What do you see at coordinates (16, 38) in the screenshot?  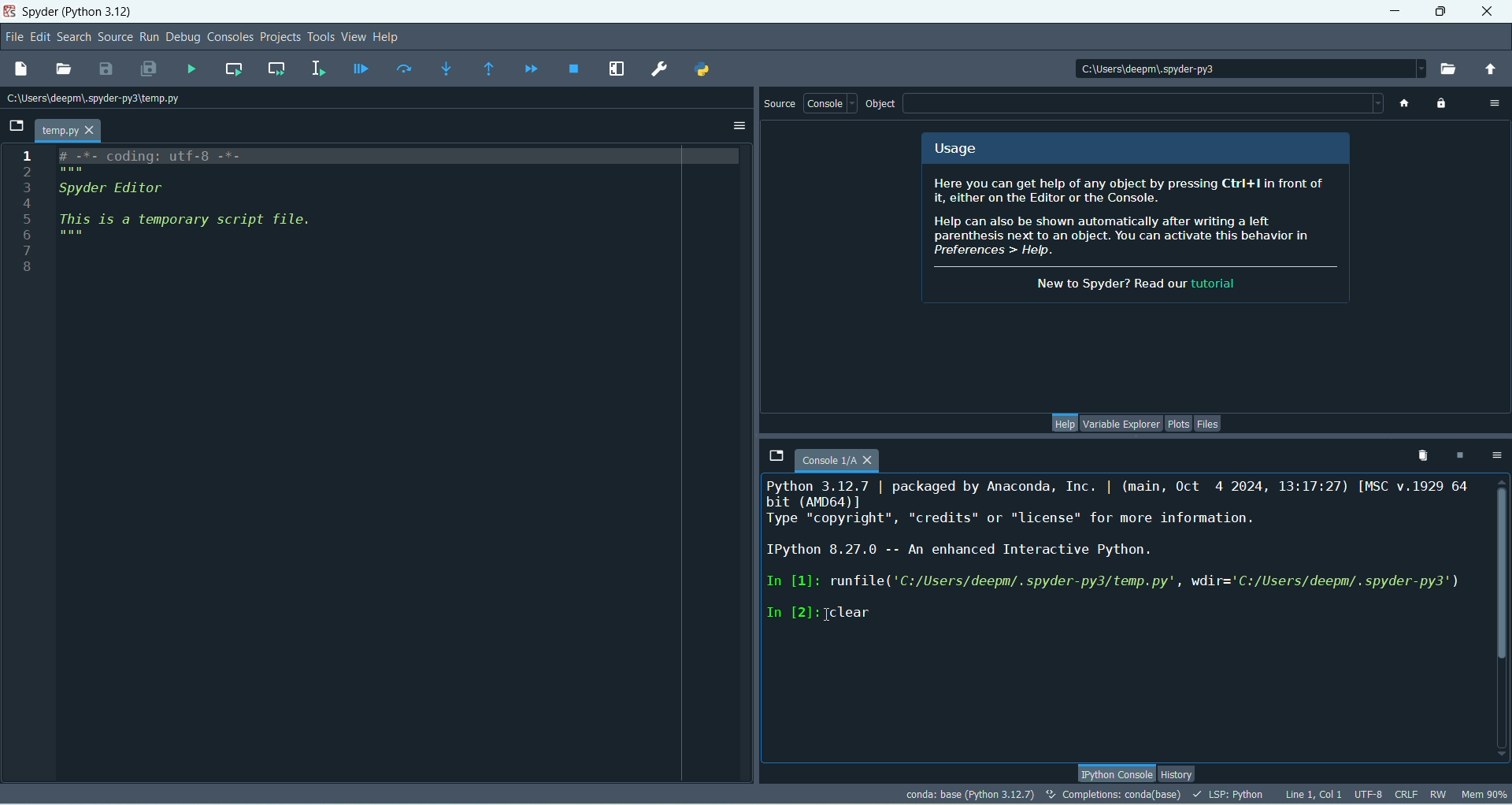 I see `file` at bounding box center [16, 38].